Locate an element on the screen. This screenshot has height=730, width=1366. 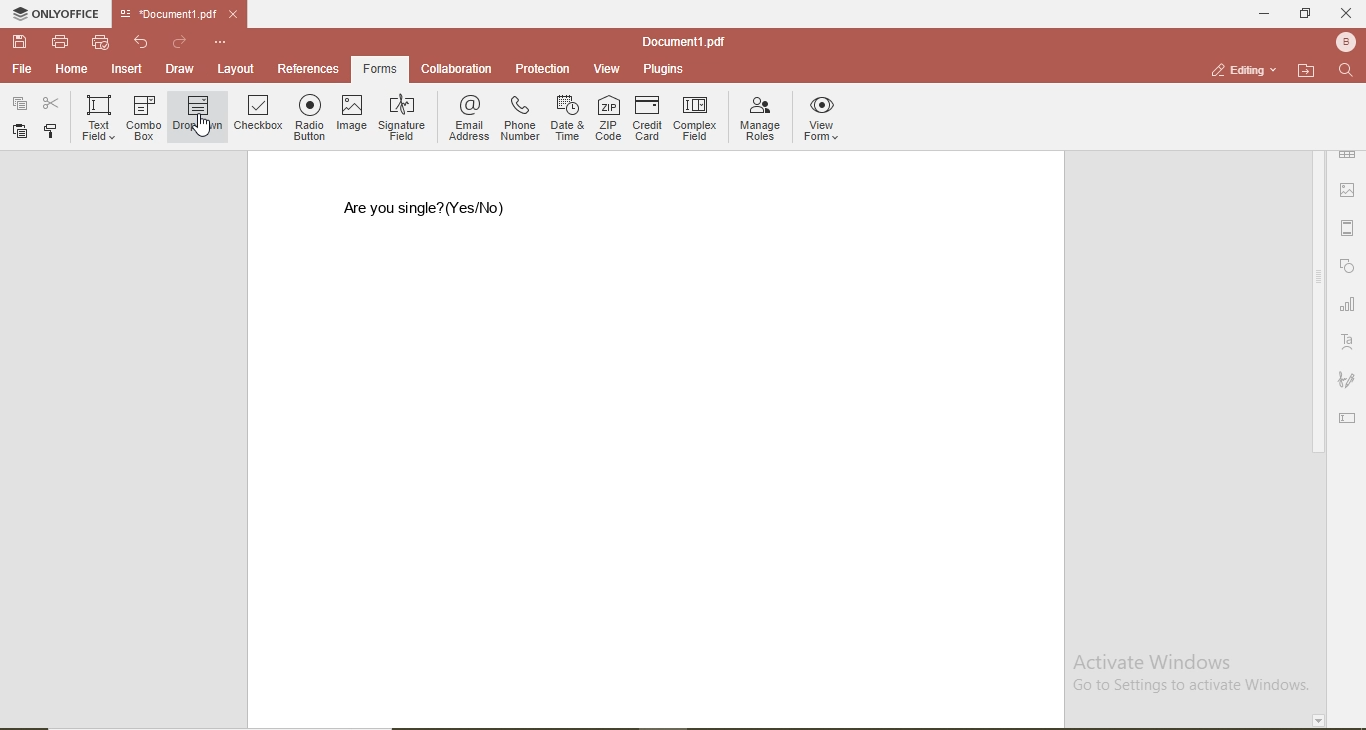
cut is located at coordinates (49, 102).